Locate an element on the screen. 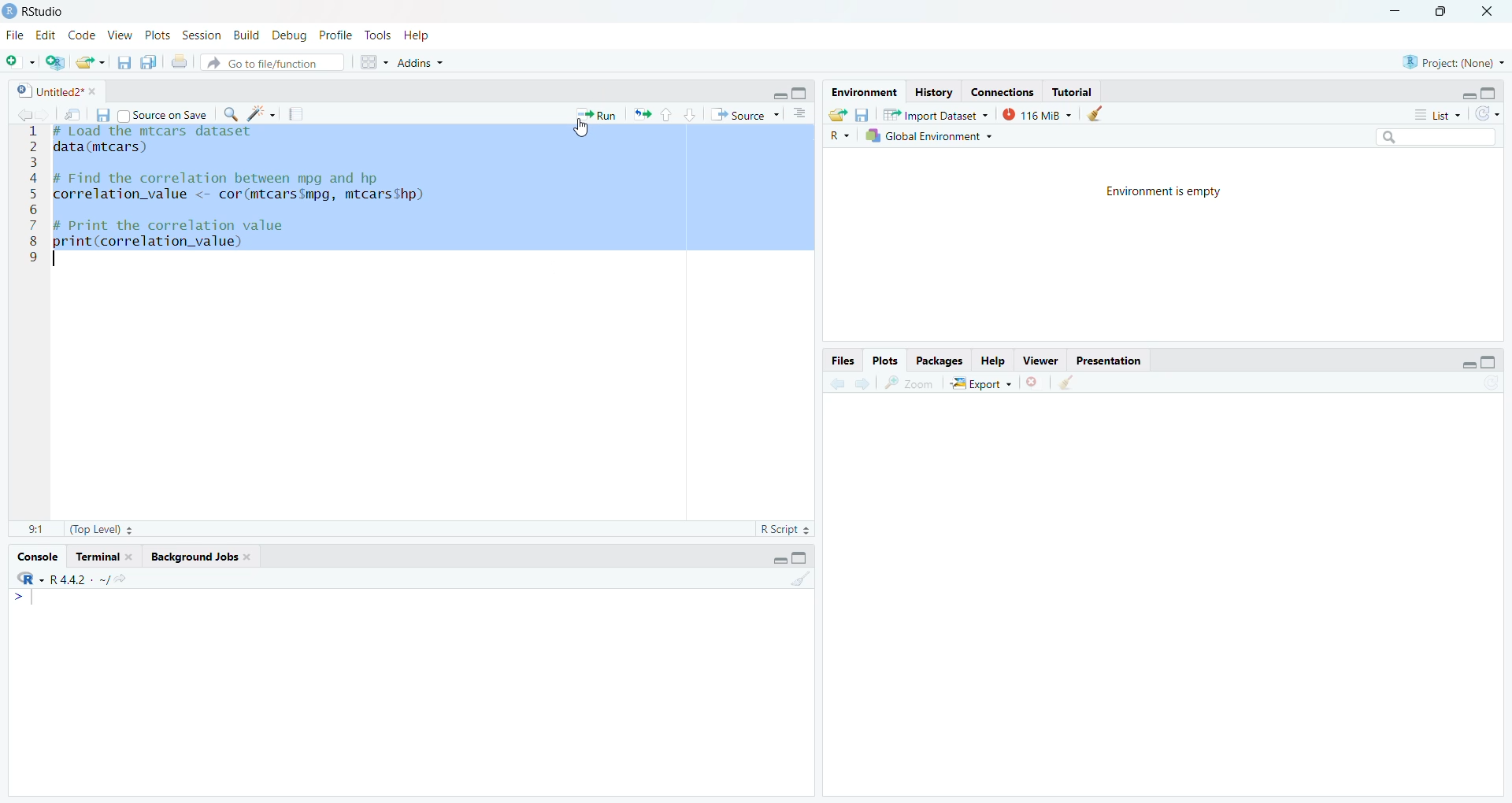 The height and width of the screenshot is (803, 1512). Console is located at coordinates (35, 557).